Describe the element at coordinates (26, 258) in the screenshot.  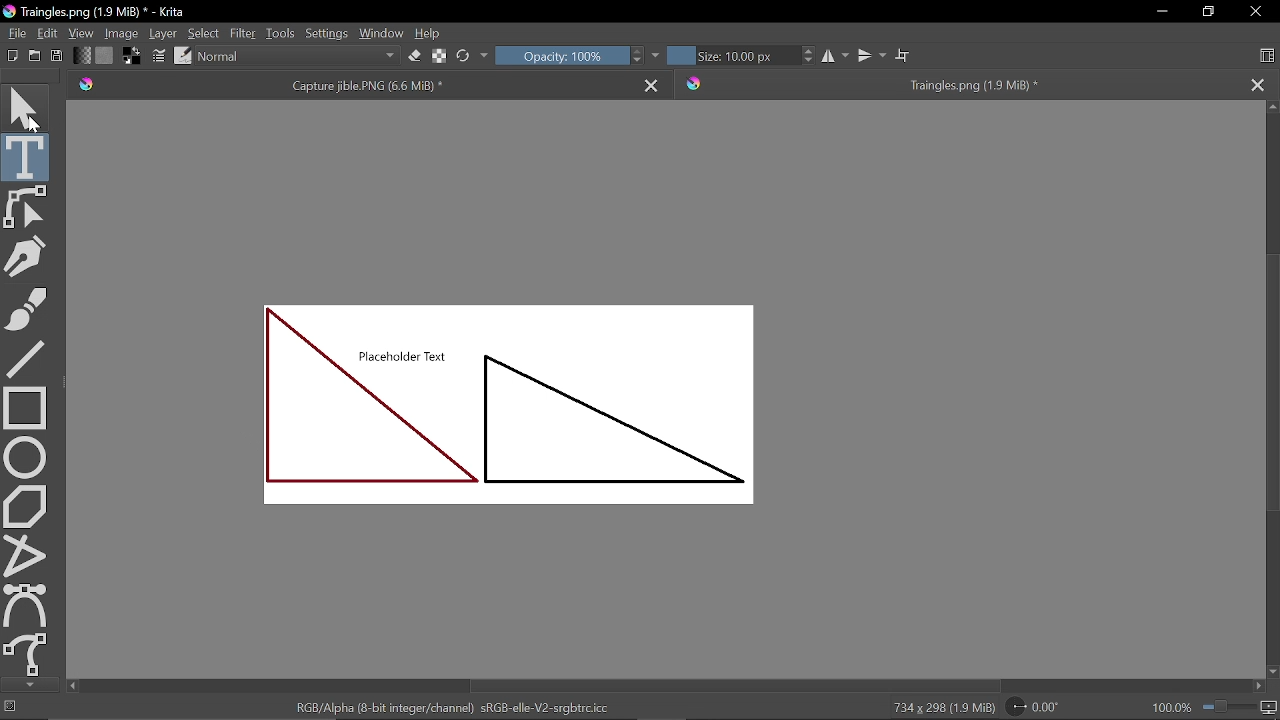
I see `Calligraphy` at that location.